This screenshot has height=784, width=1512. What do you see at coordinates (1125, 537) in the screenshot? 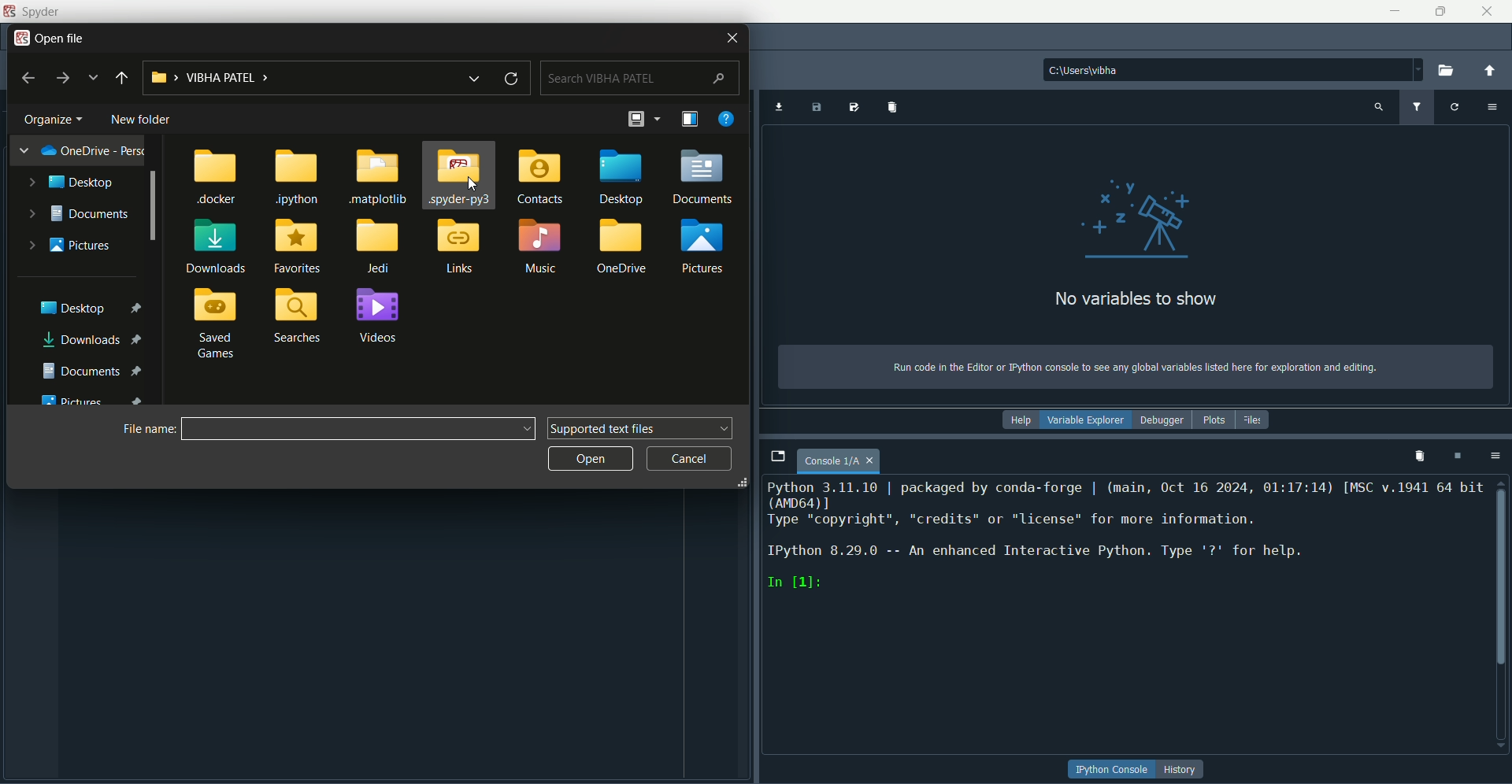
I see `text` at bounding box center [1125, 537].